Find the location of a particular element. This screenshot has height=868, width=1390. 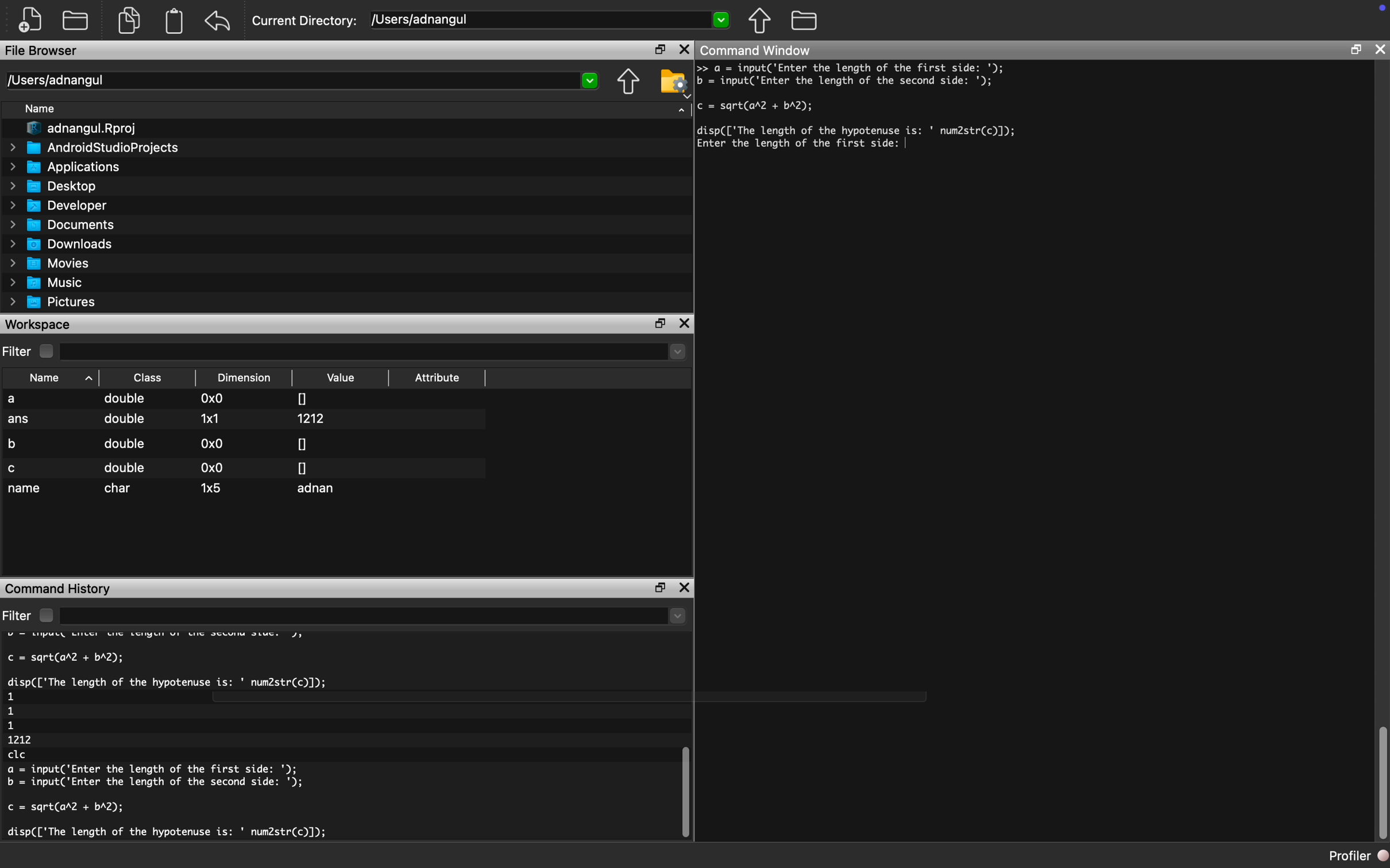

close is located at coordinates (687, 324).